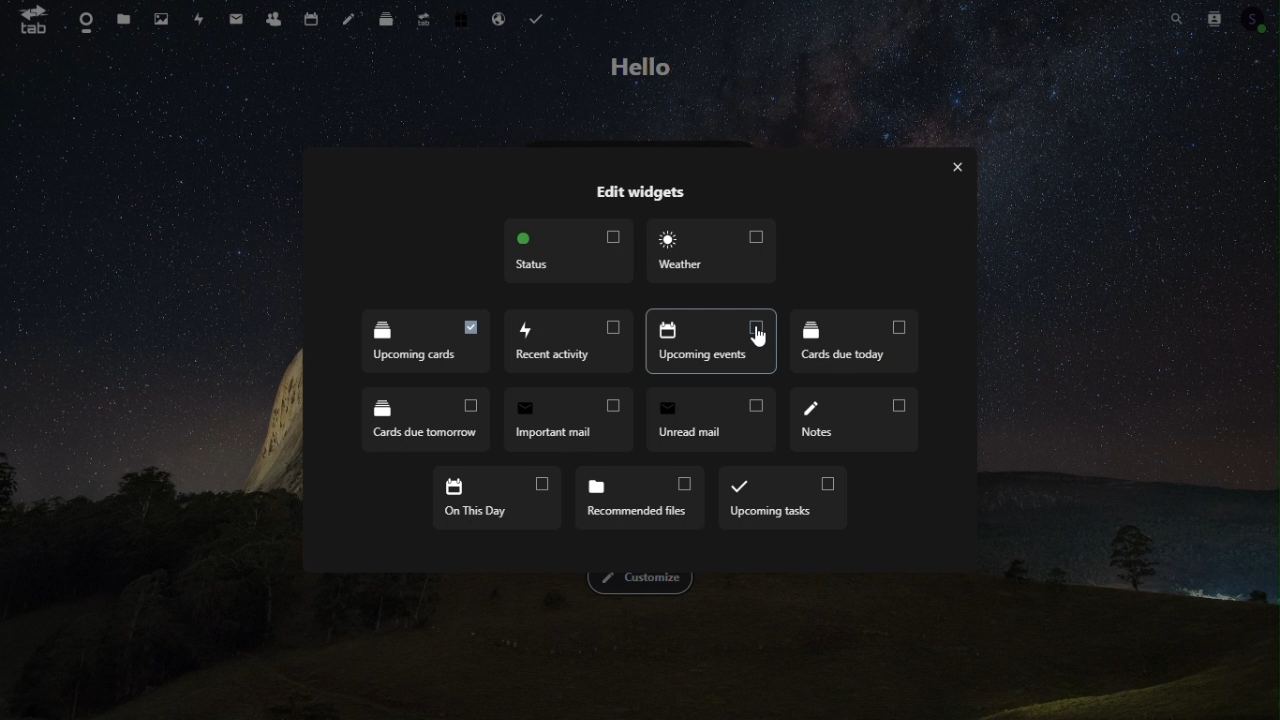 The image size is (1280, 720). I want to click on Unread email, so click(711, 419).